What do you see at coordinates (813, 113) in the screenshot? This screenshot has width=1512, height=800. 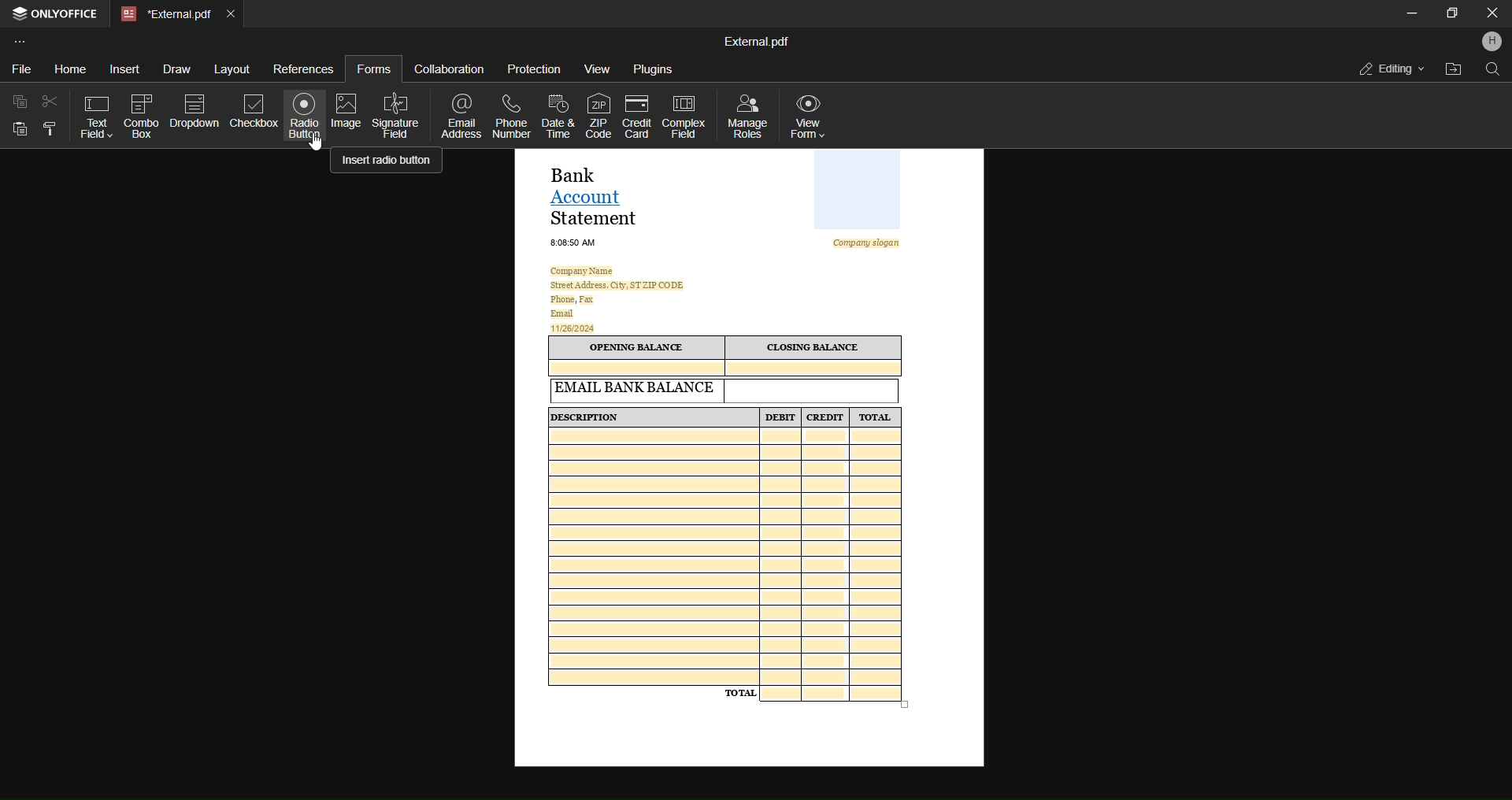 I see `view form` at bounding box center [813, 113].